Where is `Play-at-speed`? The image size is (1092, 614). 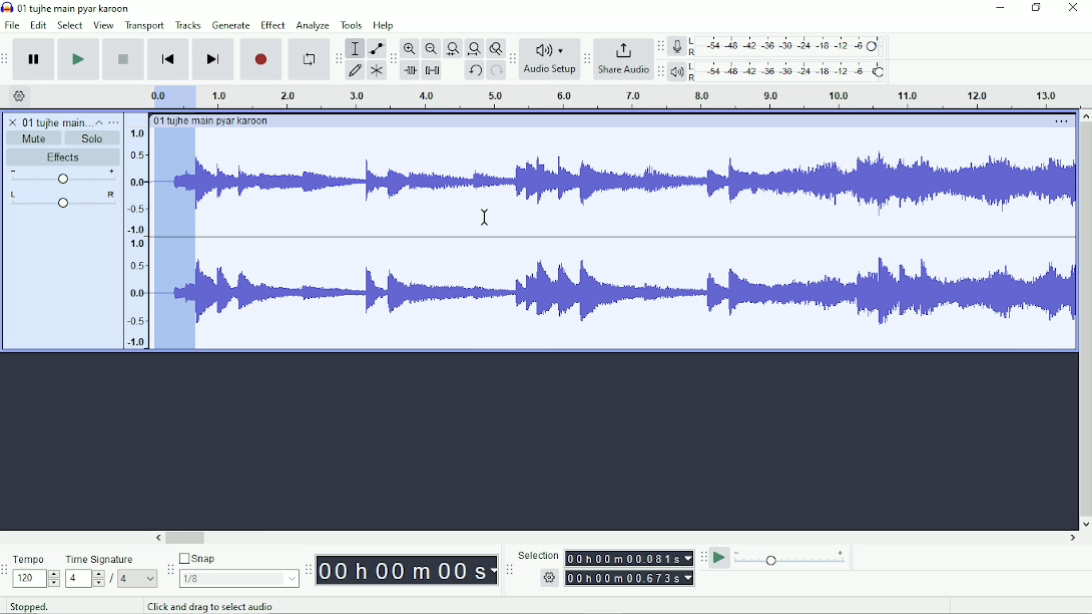
Play-at-speed is located at coordinates (721, 558).